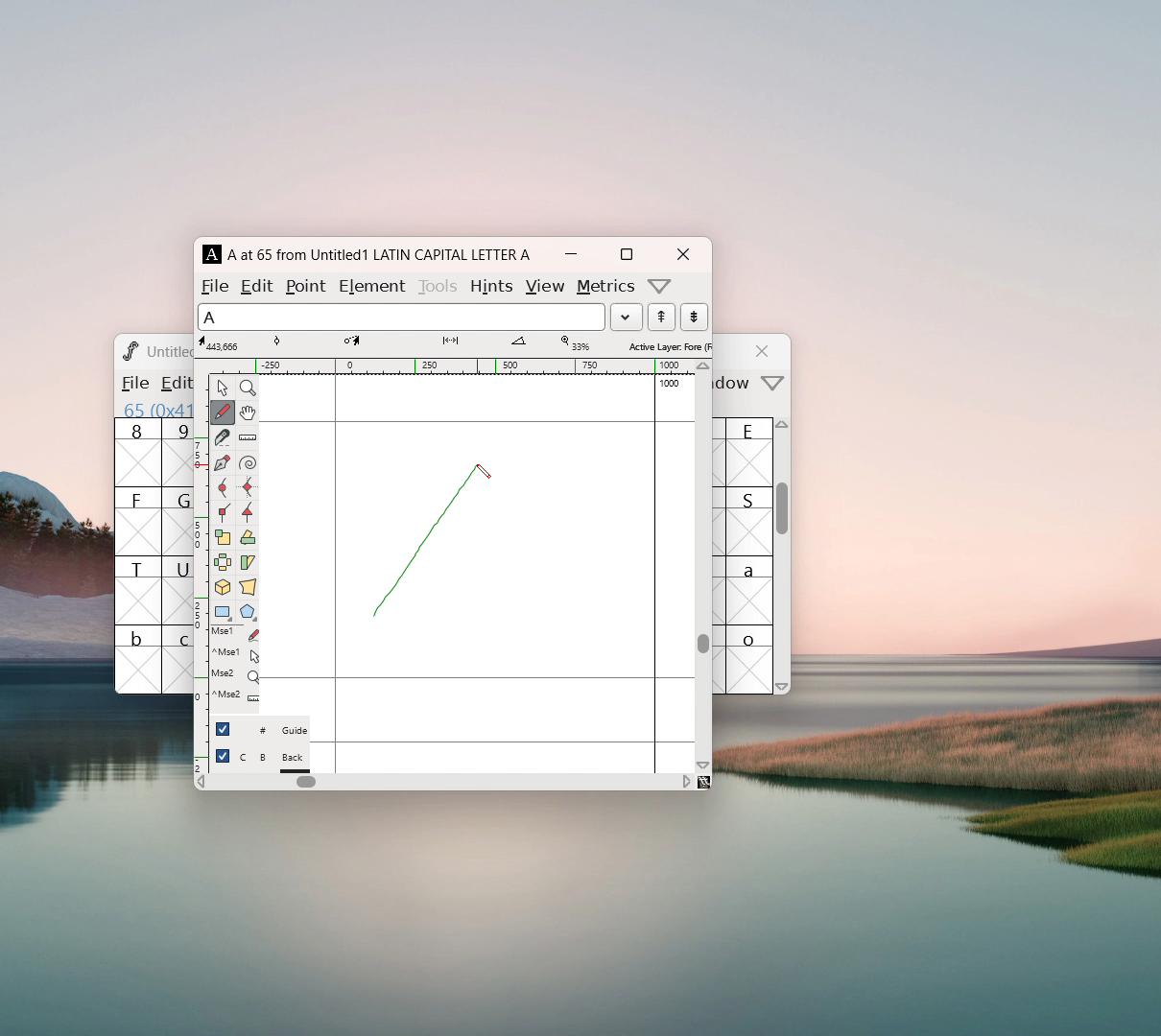 The width and height of the screenshot is (1161, 1036). Describe the element at coordinates (213, 254) in the screenshot. I see `A` at that location.